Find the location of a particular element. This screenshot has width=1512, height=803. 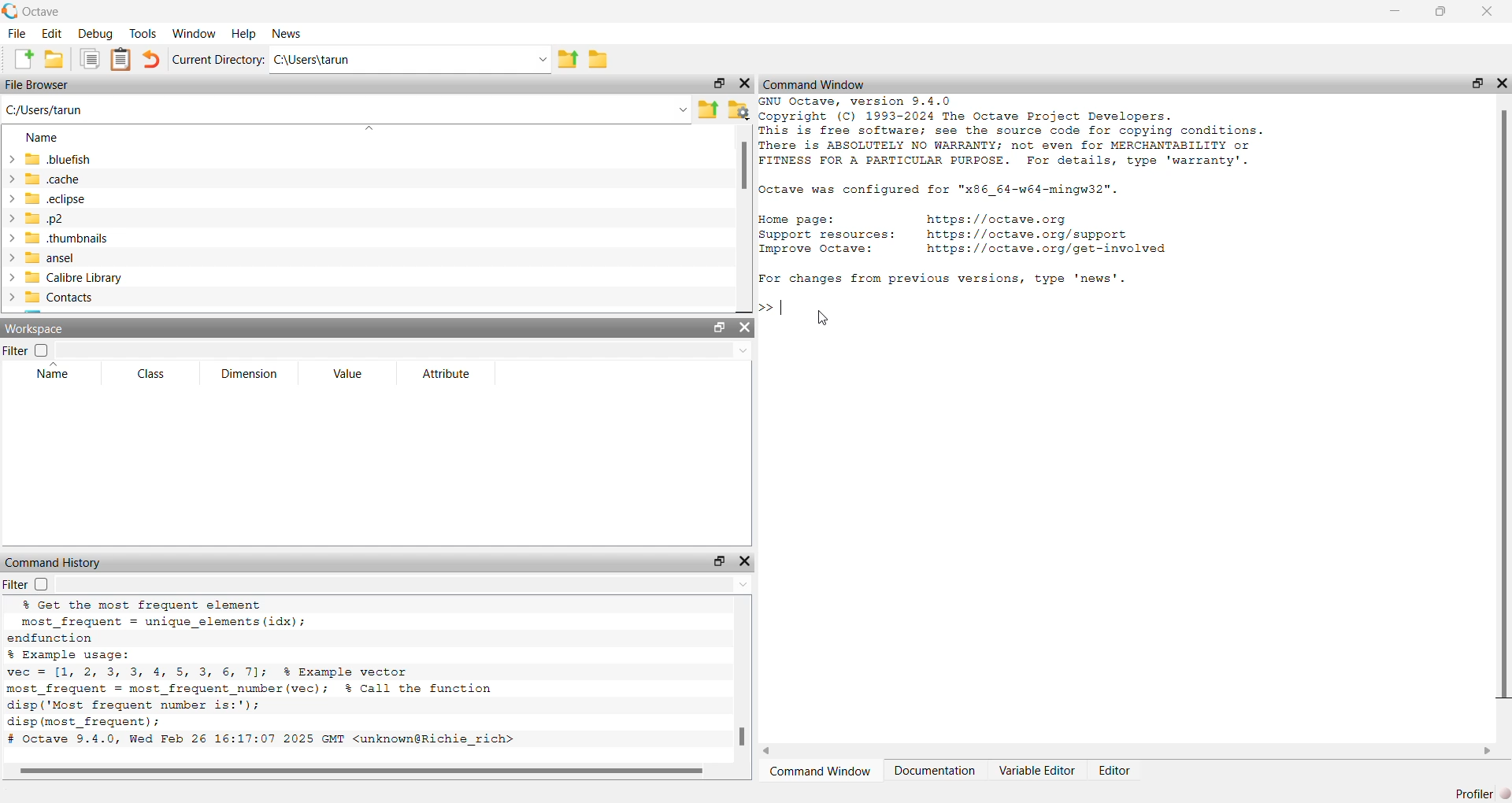

Hide Widget is located at coordinates (745, 83).